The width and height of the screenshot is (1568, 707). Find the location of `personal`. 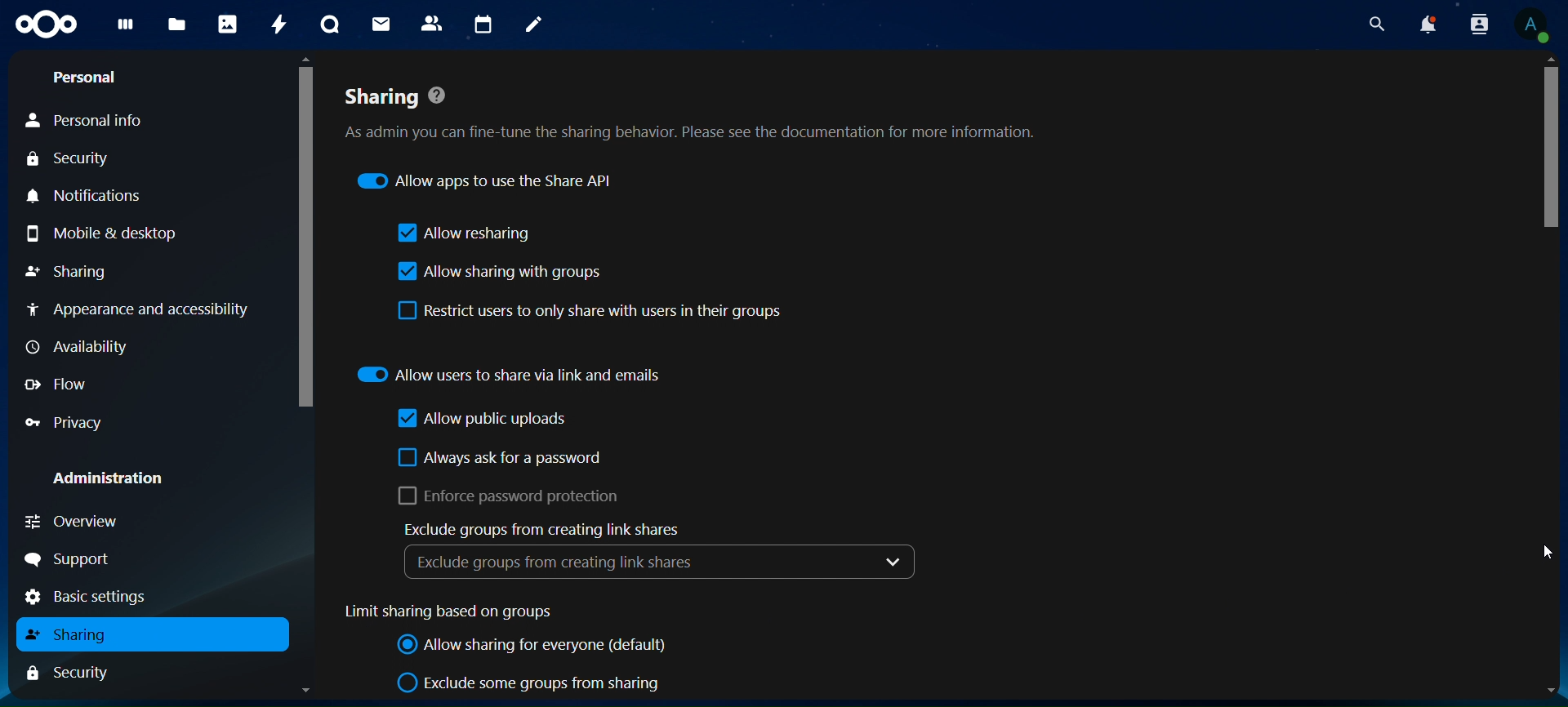

personal is located at coordinates (87, 78).